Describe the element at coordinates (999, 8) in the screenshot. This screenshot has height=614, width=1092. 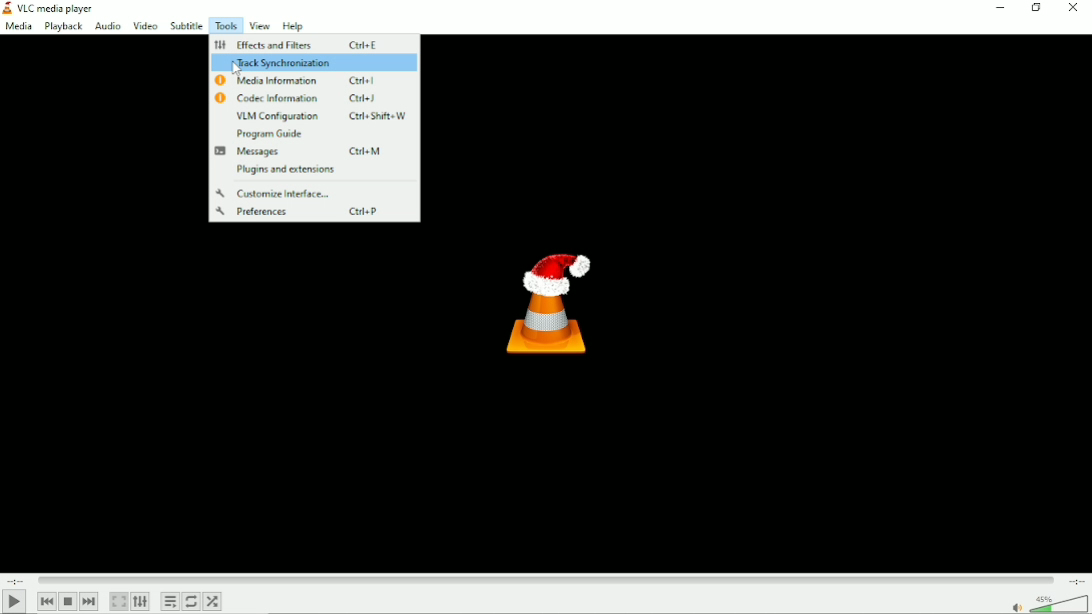
I see `minimize` at that location.